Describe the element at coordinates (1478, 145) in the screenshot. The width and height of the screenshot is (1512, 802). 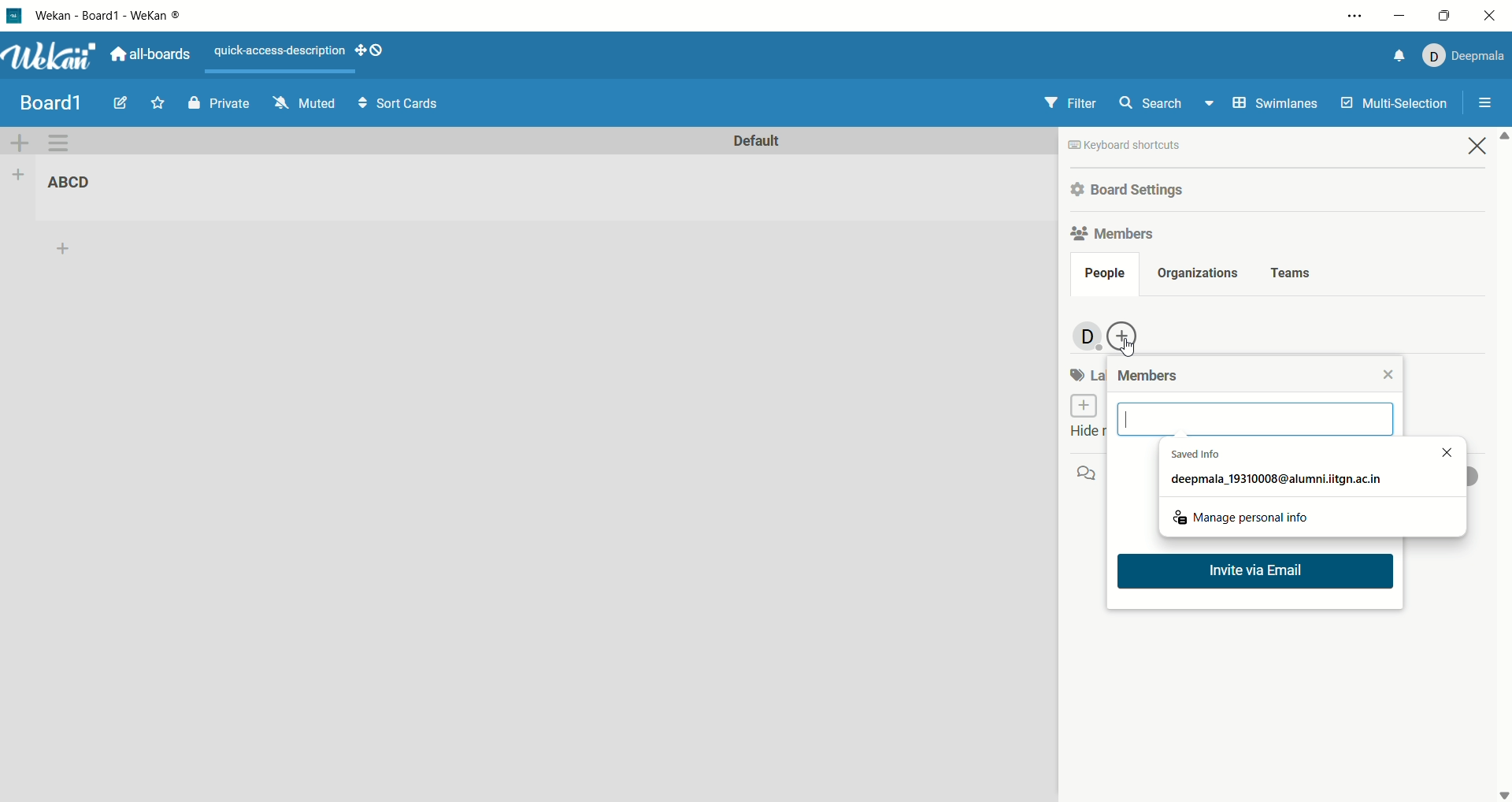
I see `close` at that location.